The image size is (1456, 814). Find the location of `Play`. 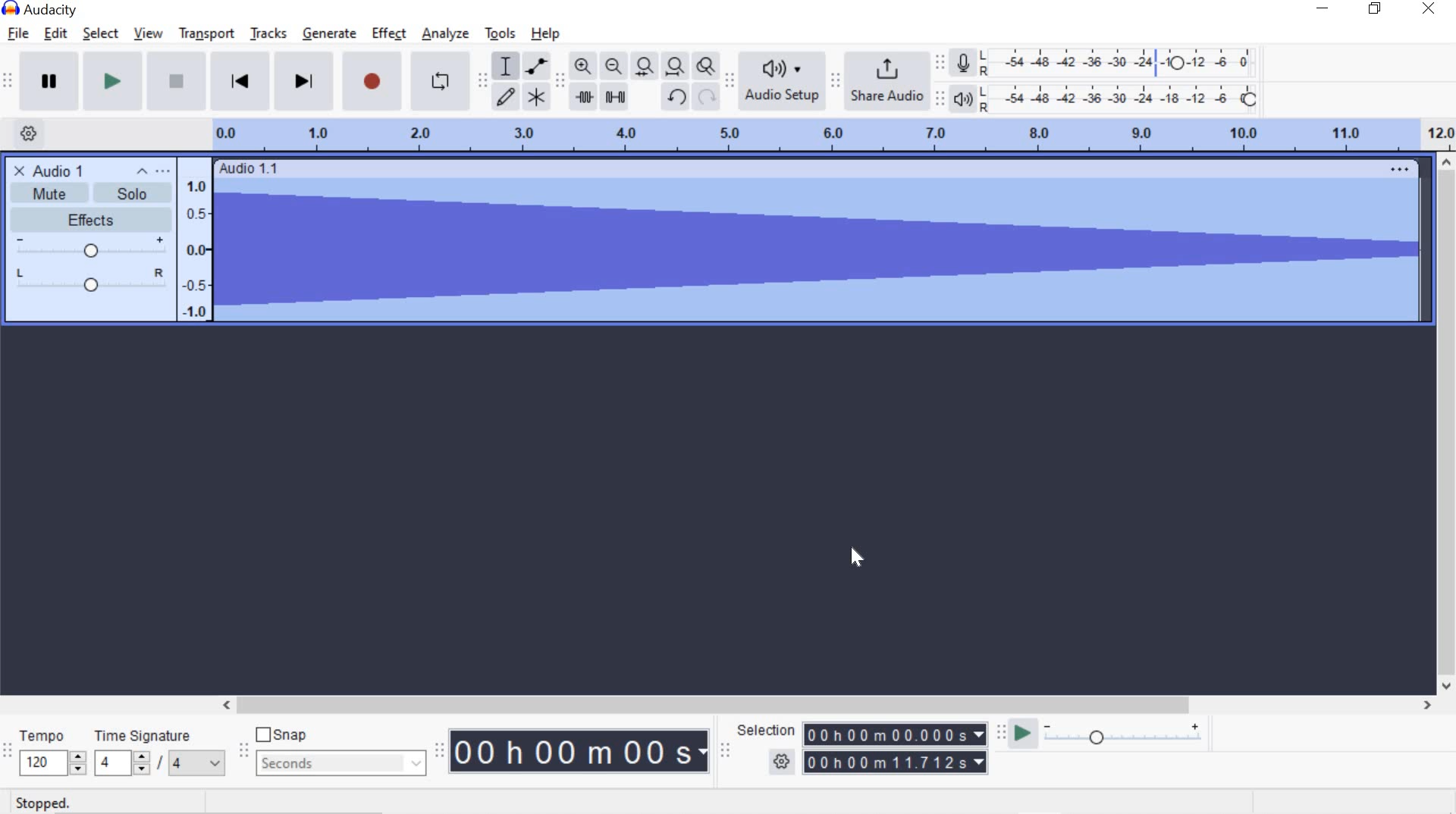

Play is located at coordinates (113, 80).